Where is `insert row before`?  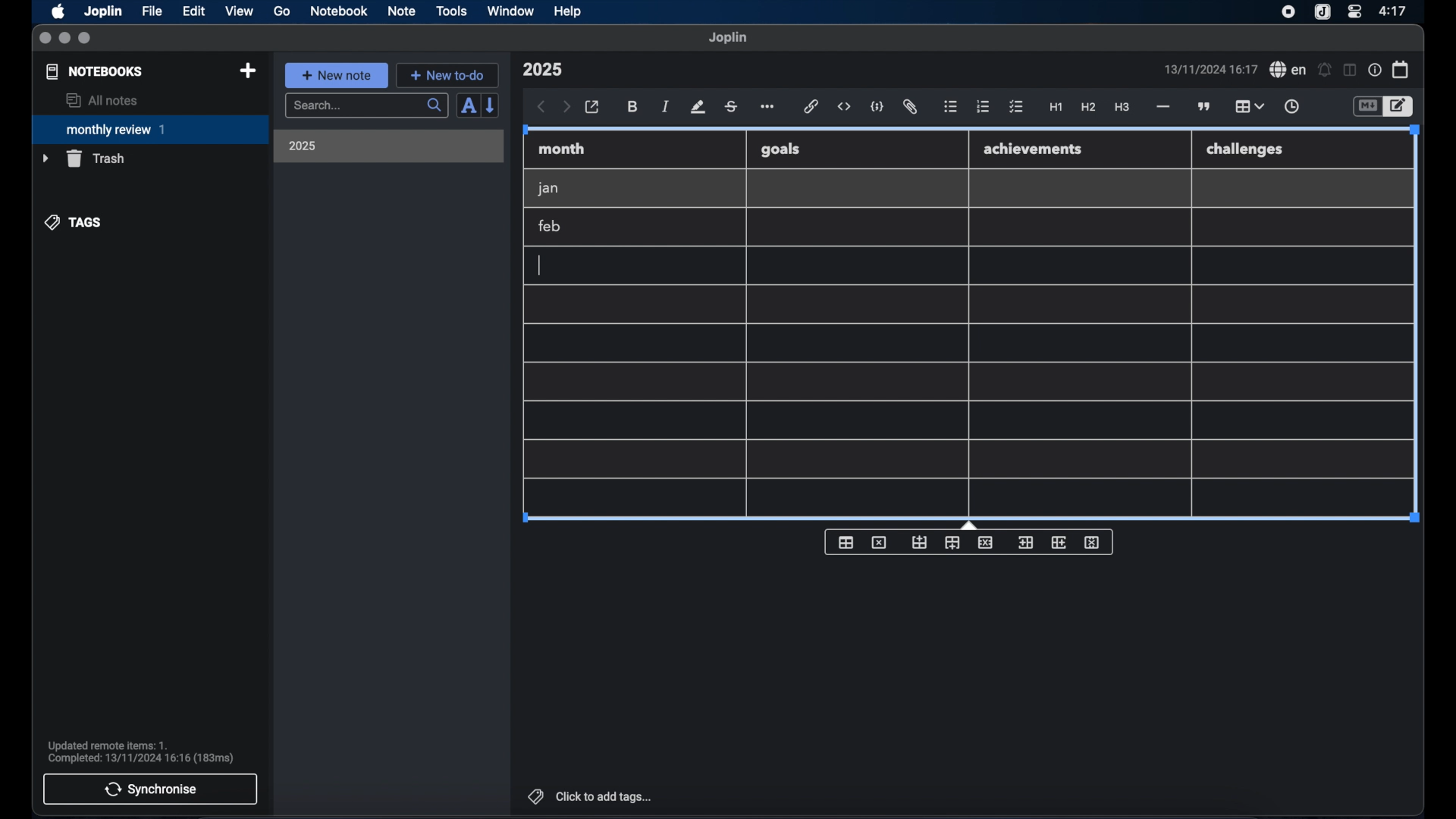 insert row before is located at coordinates (920, 543).